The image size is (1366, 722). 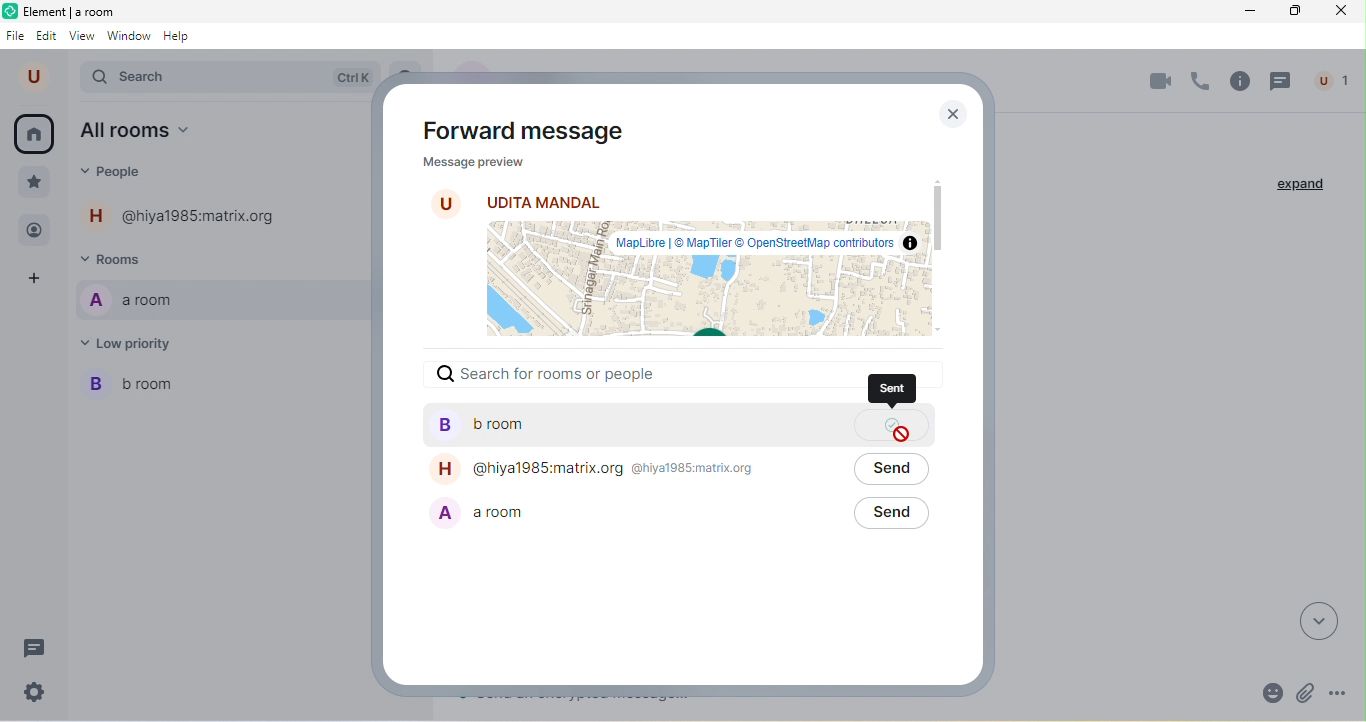 I want to click on element logo, so click(x=10, y=11).